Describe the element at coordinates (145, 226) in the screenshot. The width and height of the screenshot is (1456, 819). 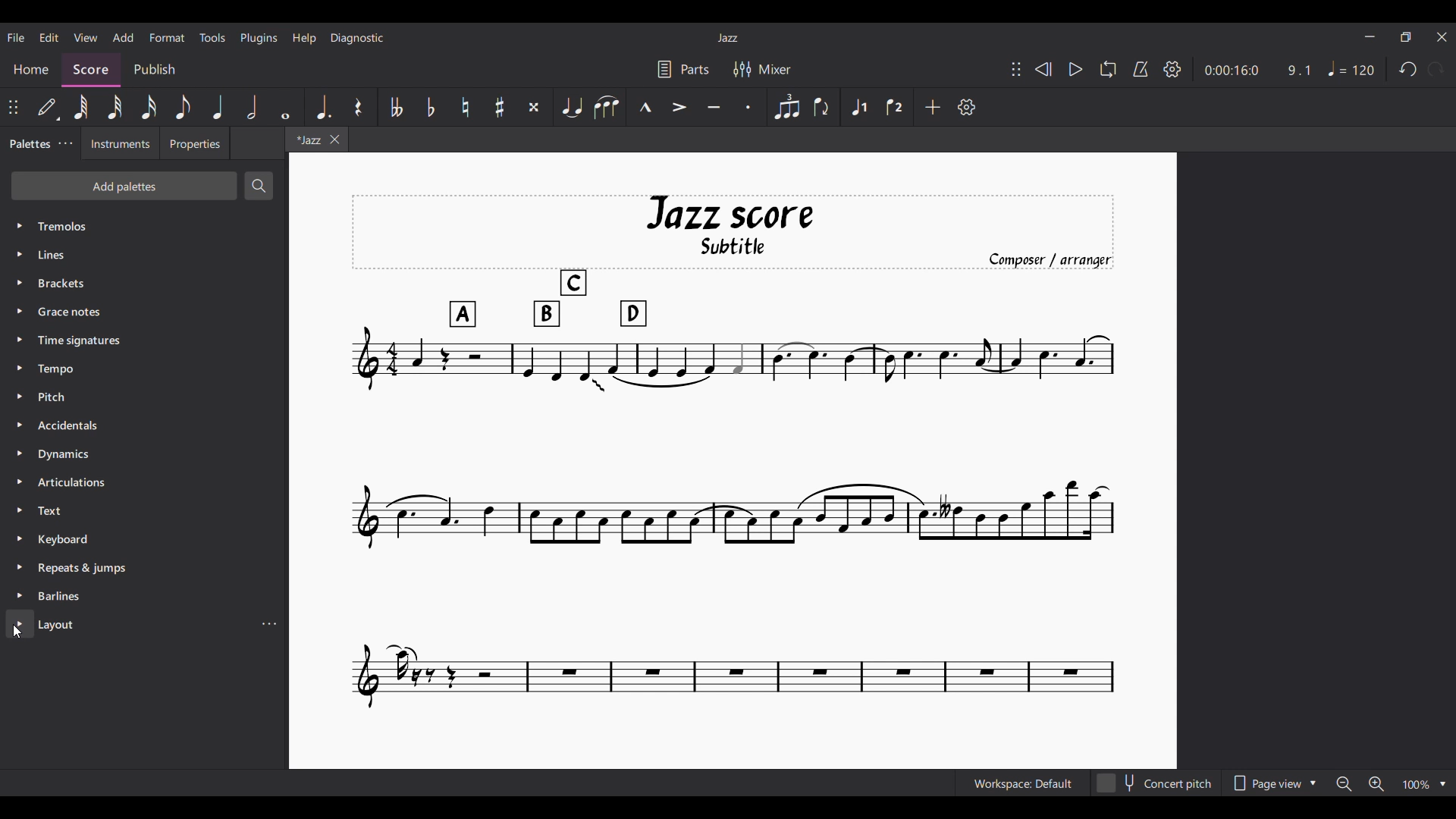
I see `Tremolos` at that location.